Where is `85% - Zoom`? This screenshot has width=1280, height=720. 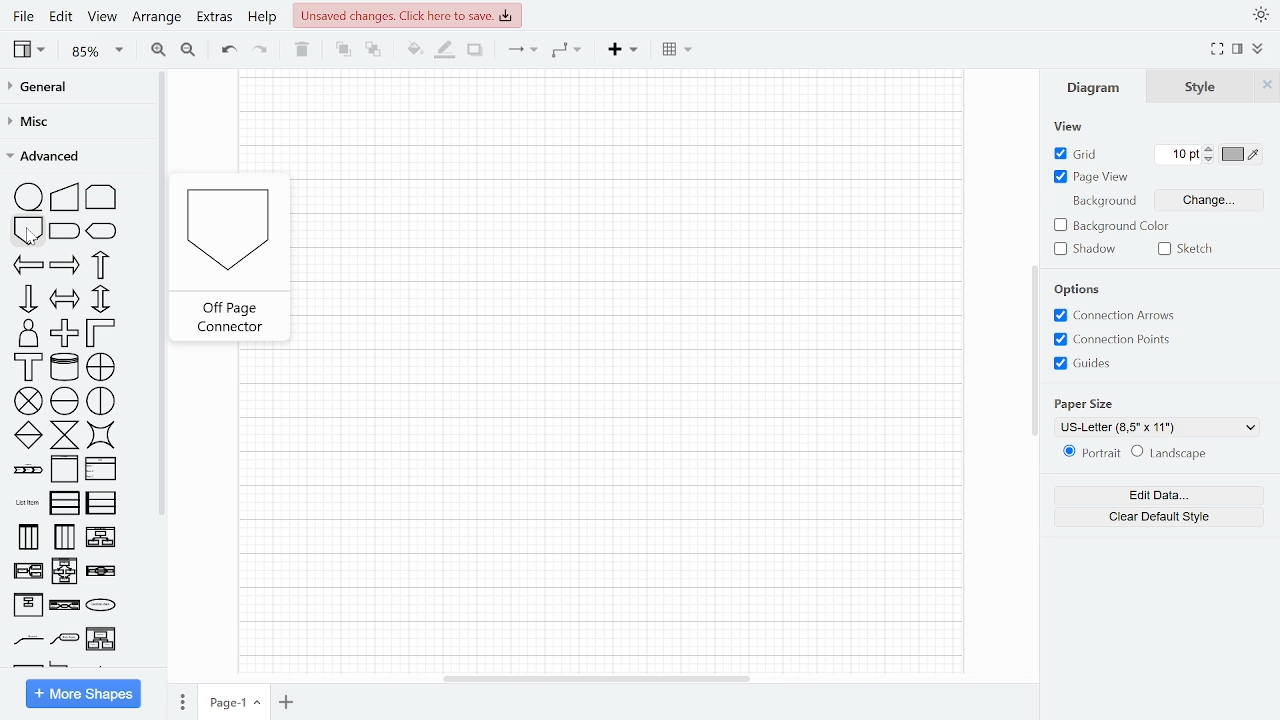
85% - Zoom is located at coordinates (96, 52).